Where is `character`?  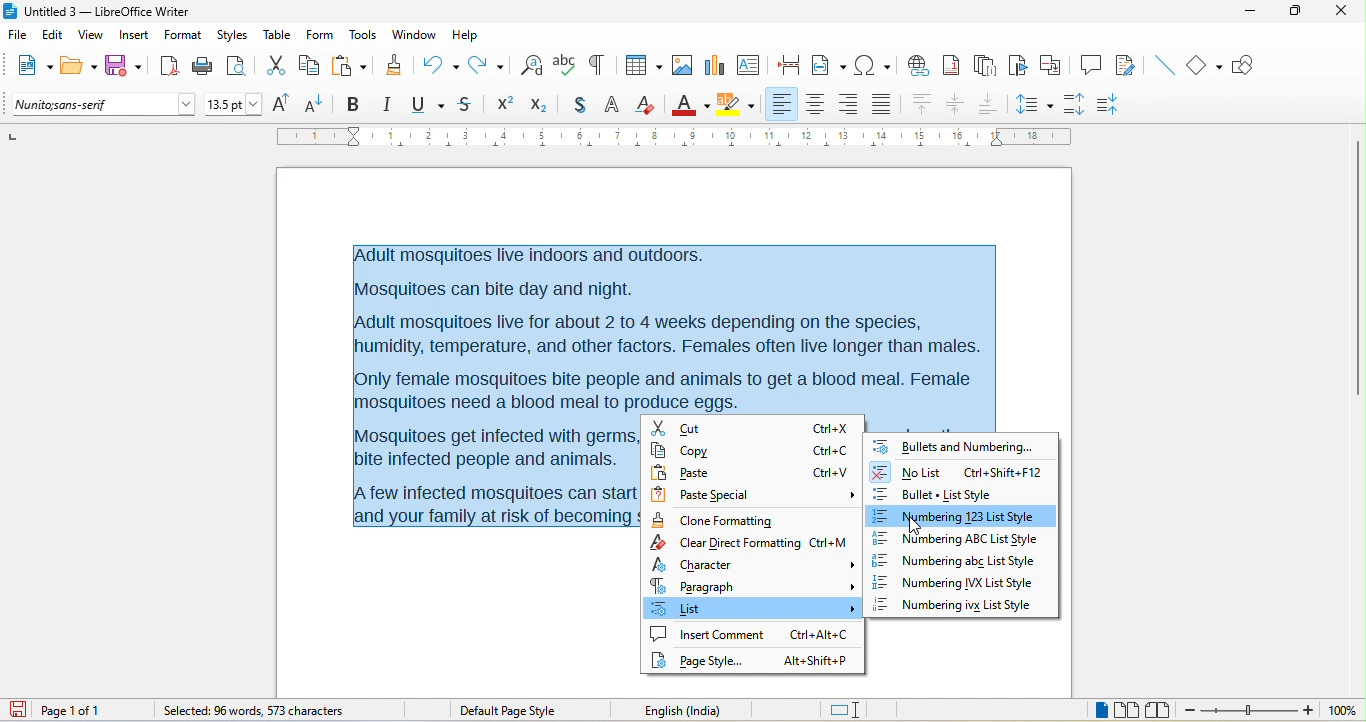
character is located at coordinates (757, 565).